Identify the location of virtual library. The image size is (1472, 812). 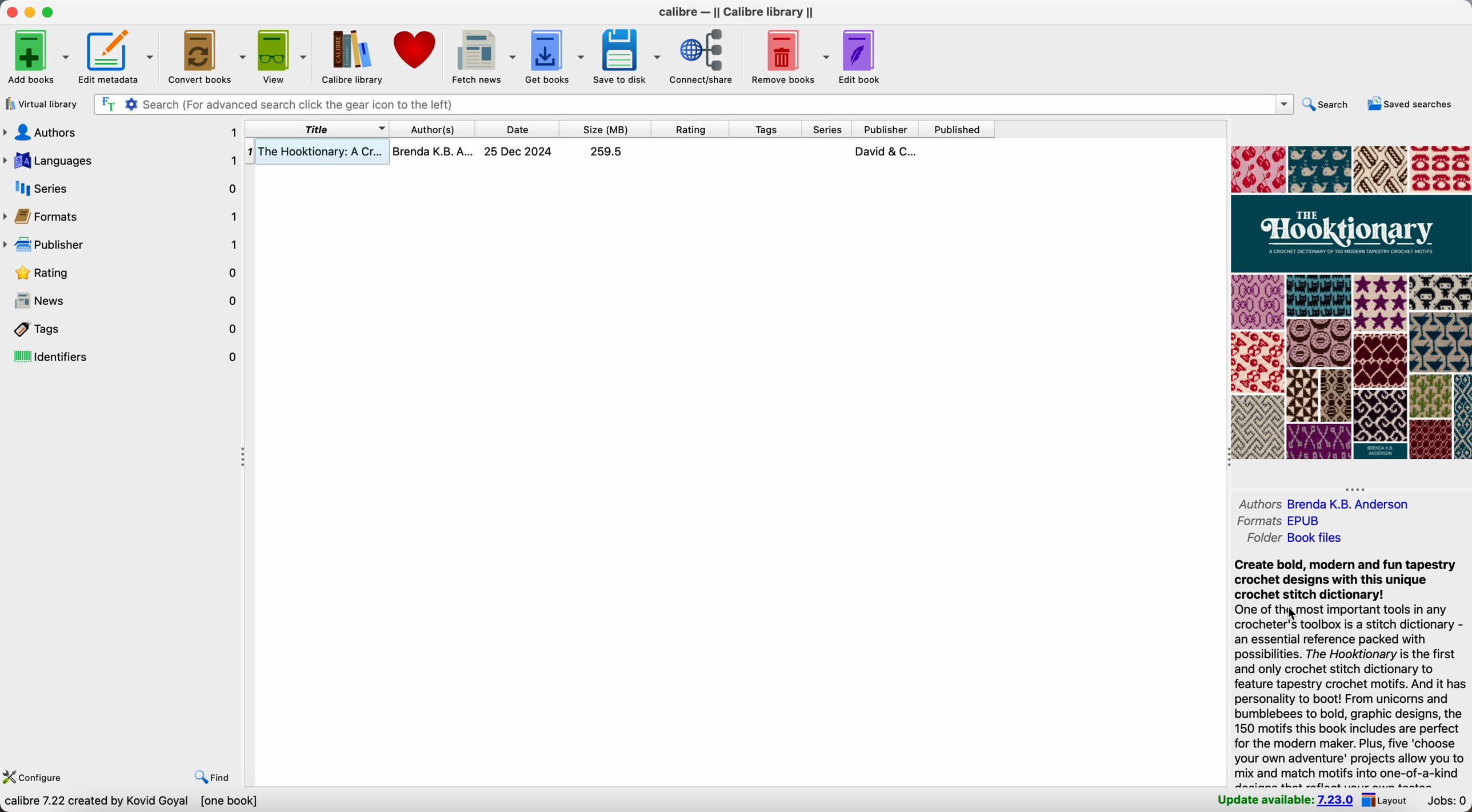
(43, 104).